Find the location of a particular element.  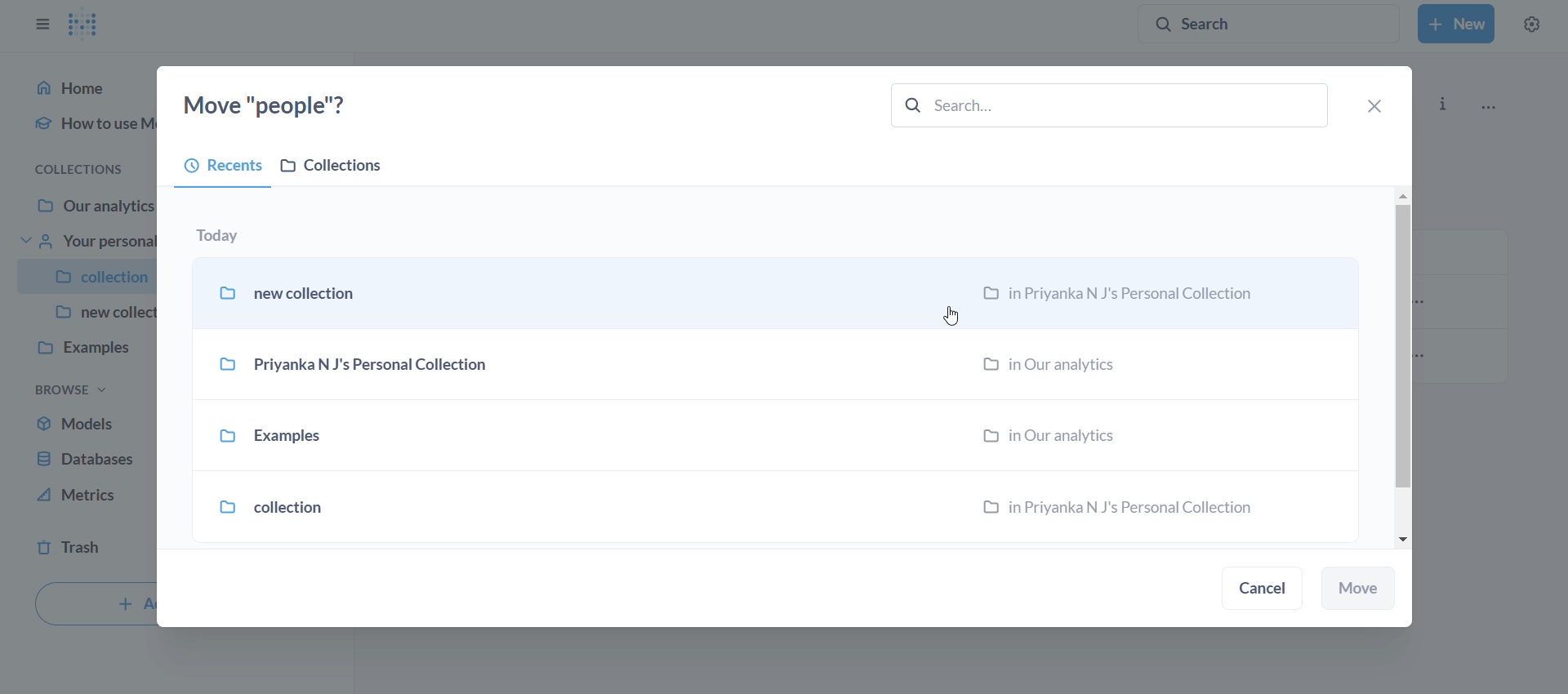

New is located at coordinates (1458, 22).